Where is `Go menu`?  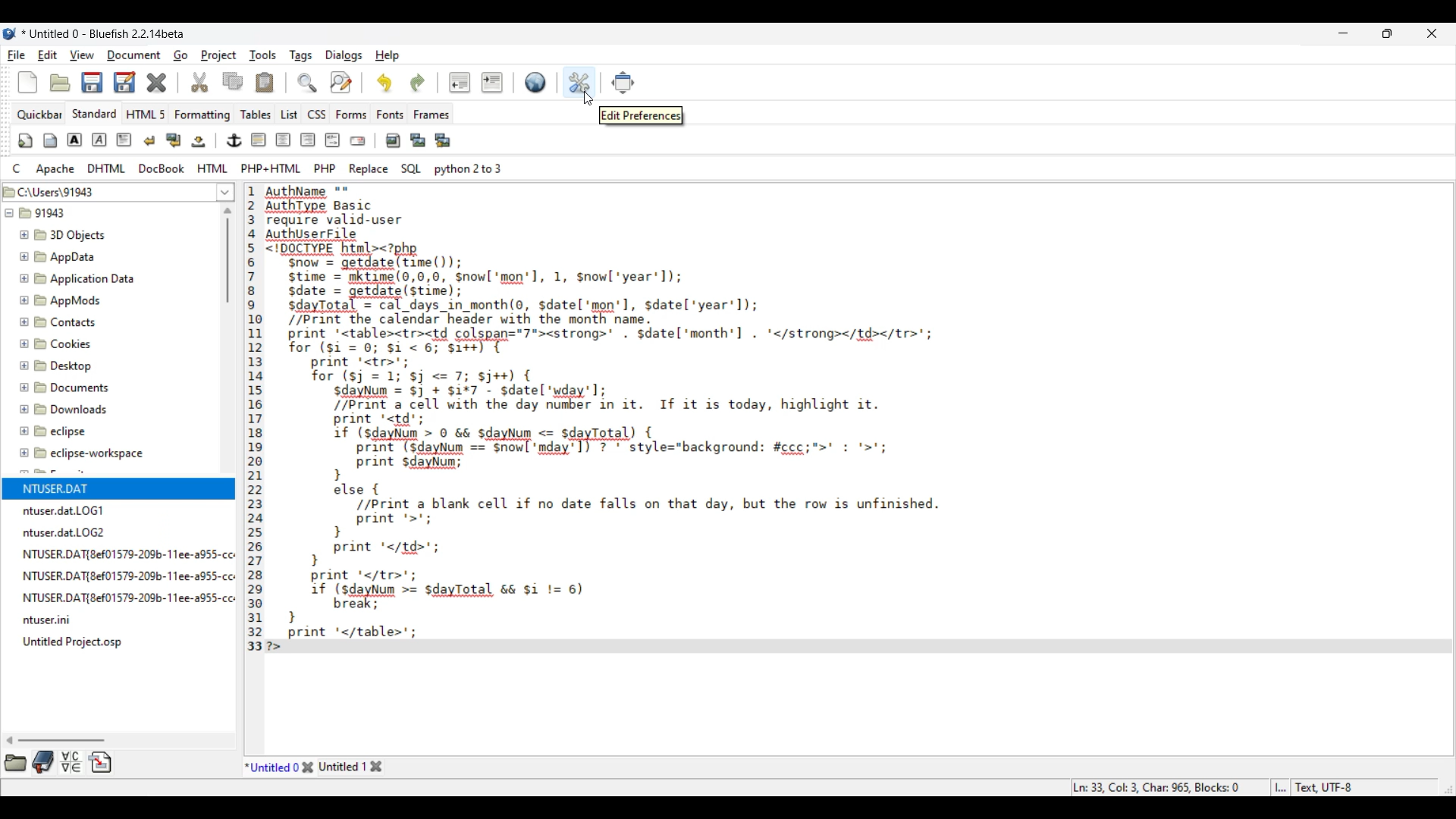 Go menu is located at coordinates (180, 55).